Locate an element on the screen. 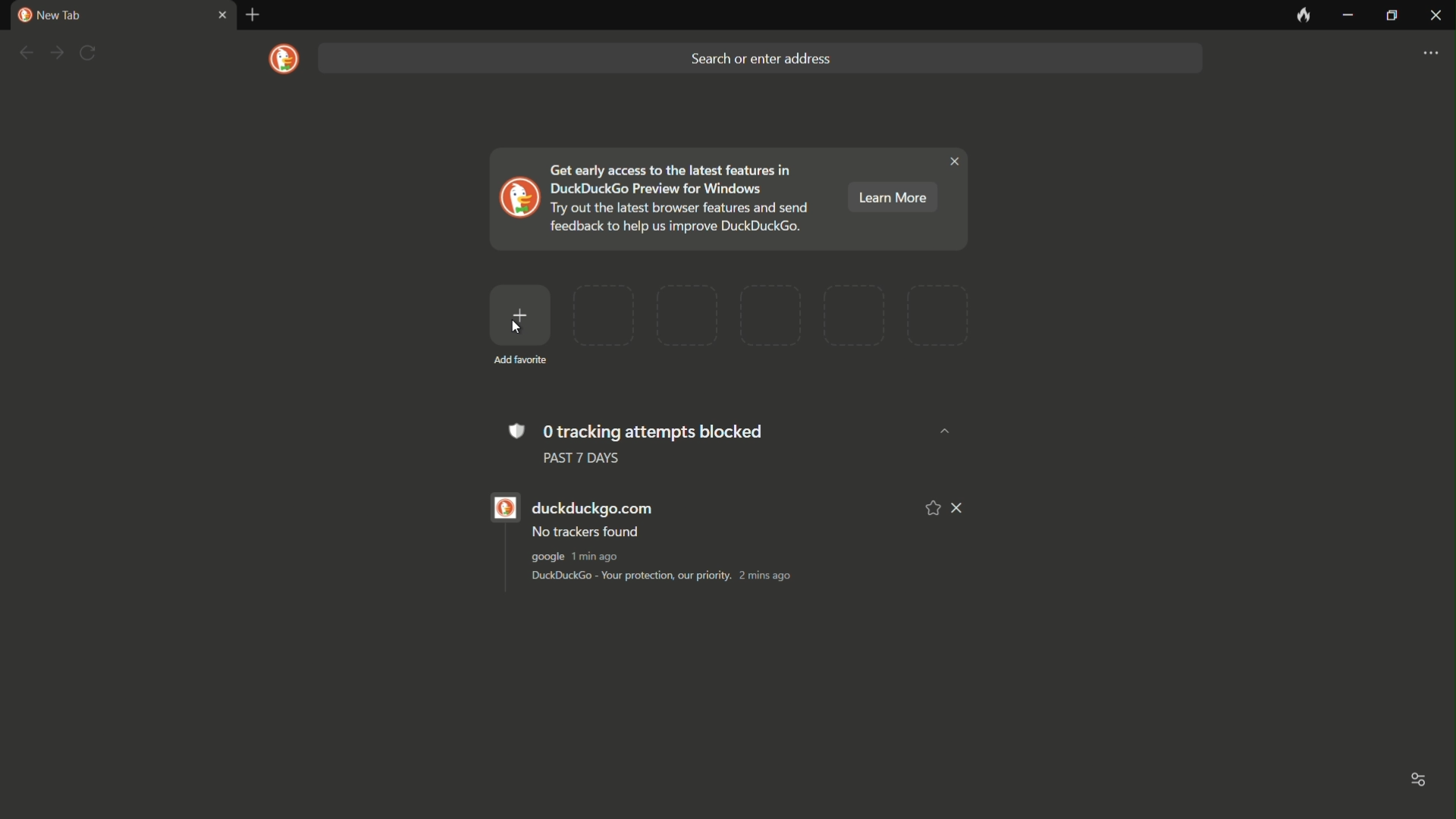 This screenshot has height=819, width=1456. new tab is located at coordinates (49, 15).